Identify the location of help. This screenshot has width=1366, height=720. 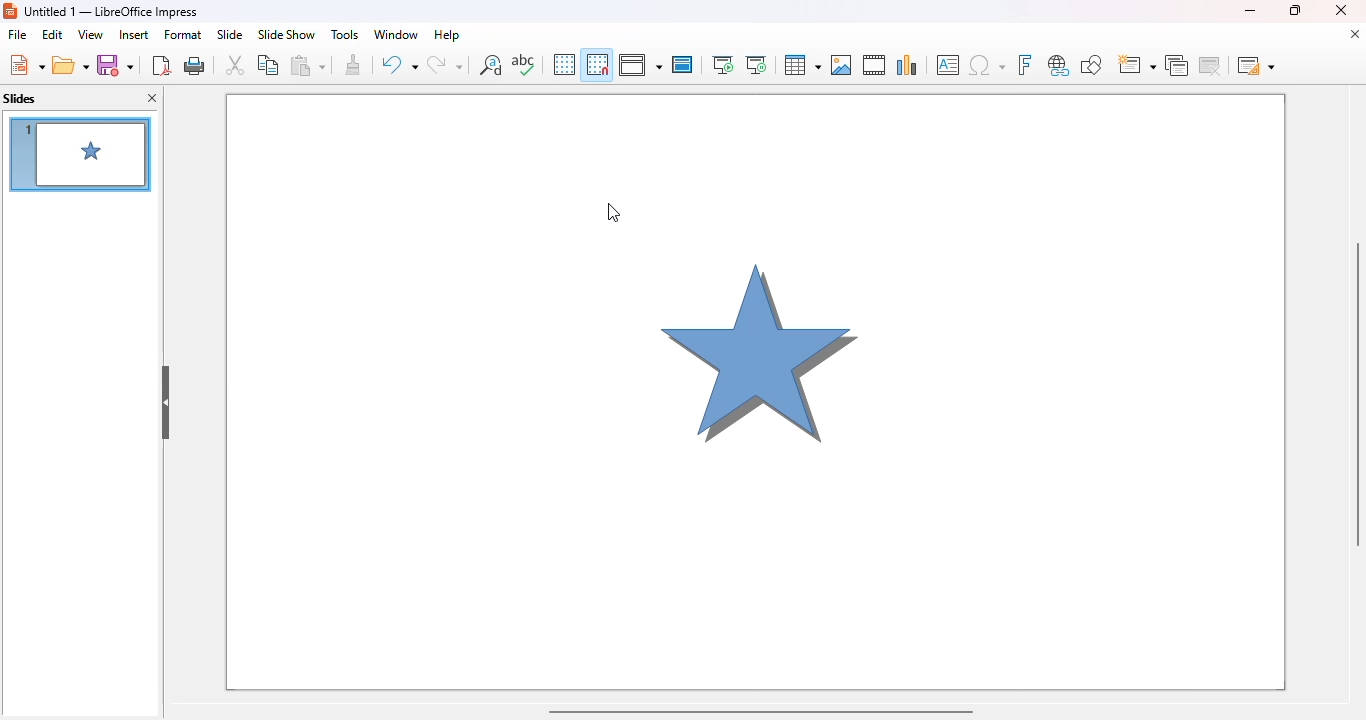
(448, 35).